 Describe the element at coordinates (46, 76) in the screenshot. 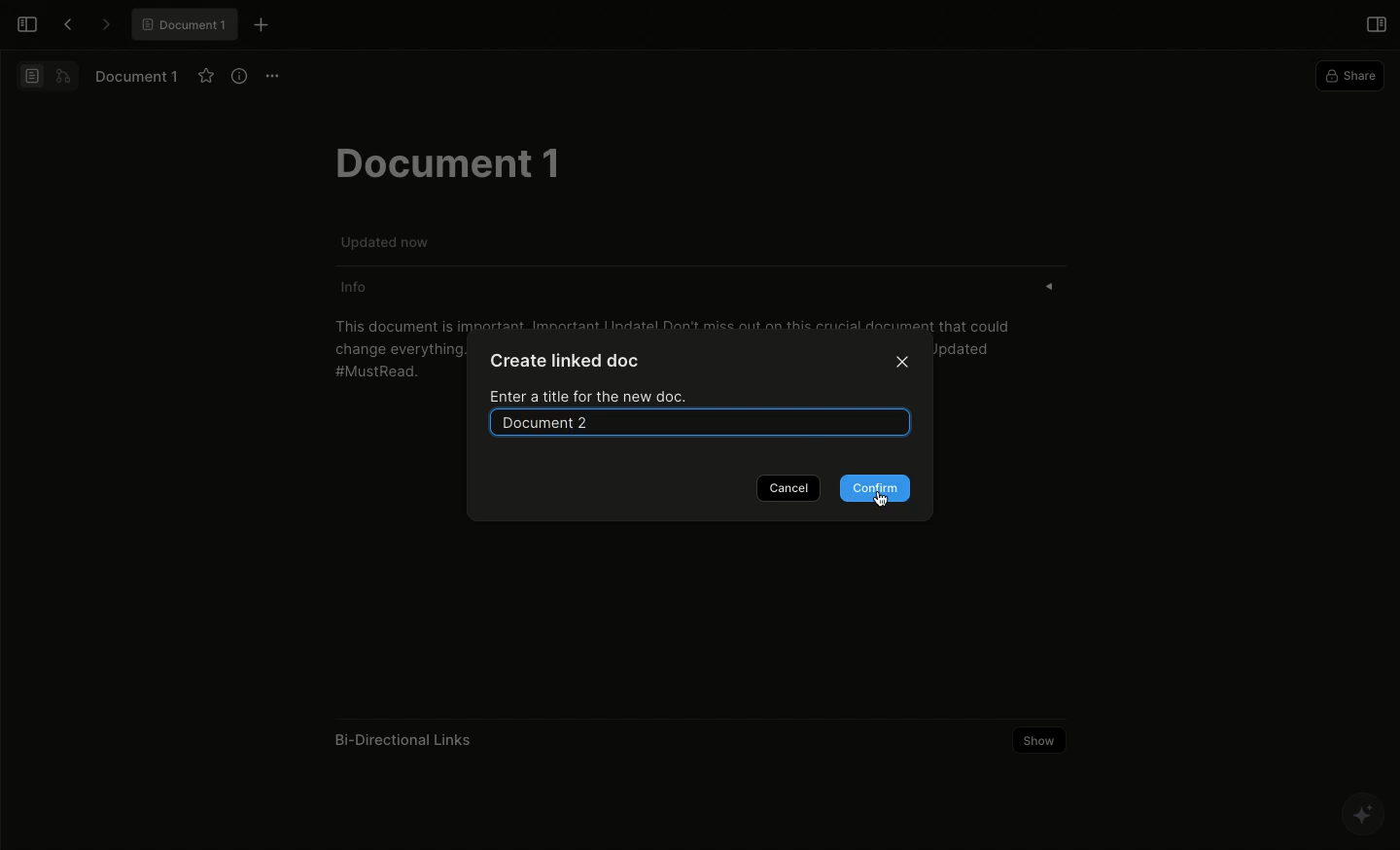

I see `Switch view` at that location.